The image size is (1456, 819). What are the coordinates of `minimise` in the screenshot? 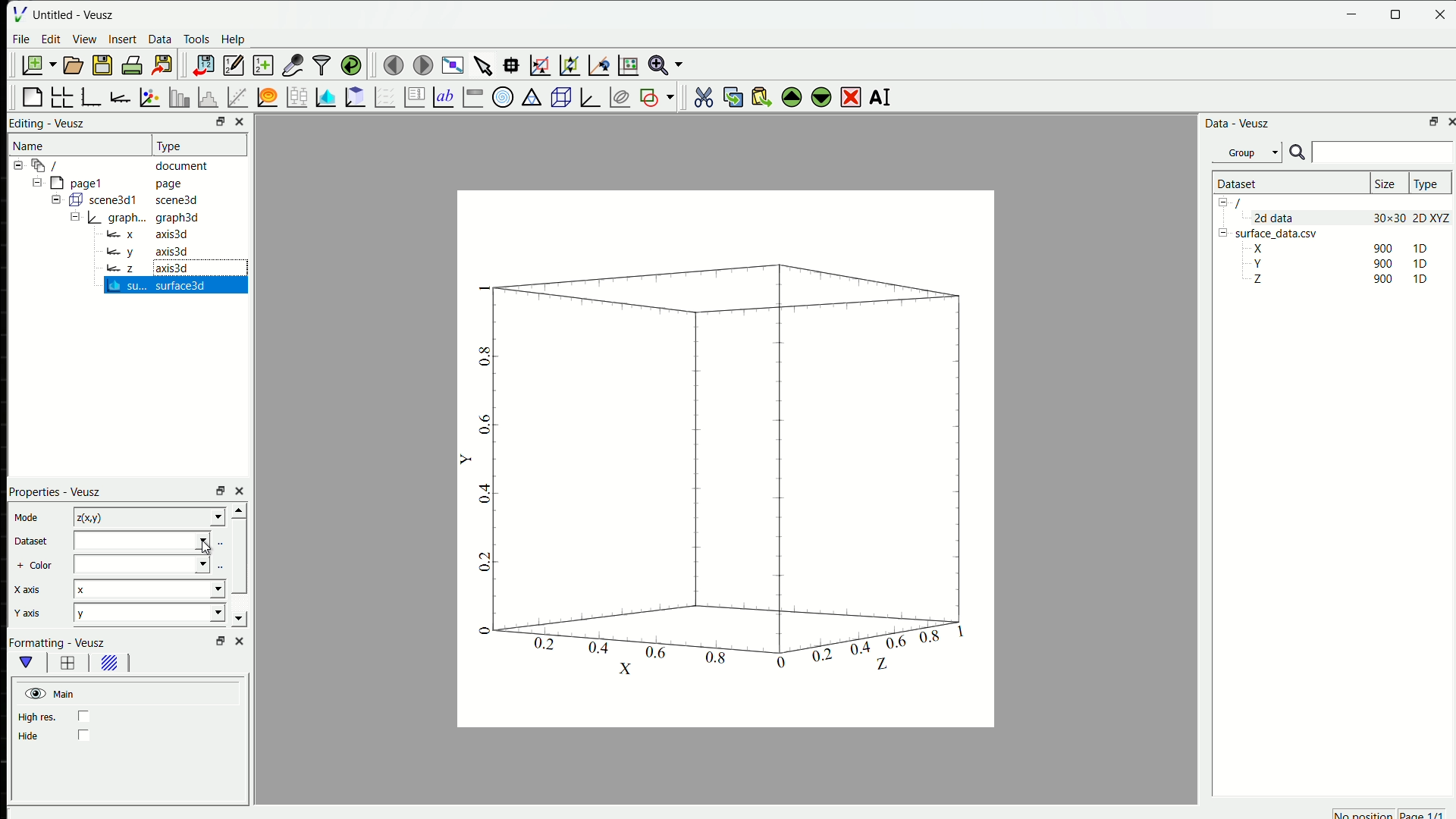 It's located at (1353, 13).